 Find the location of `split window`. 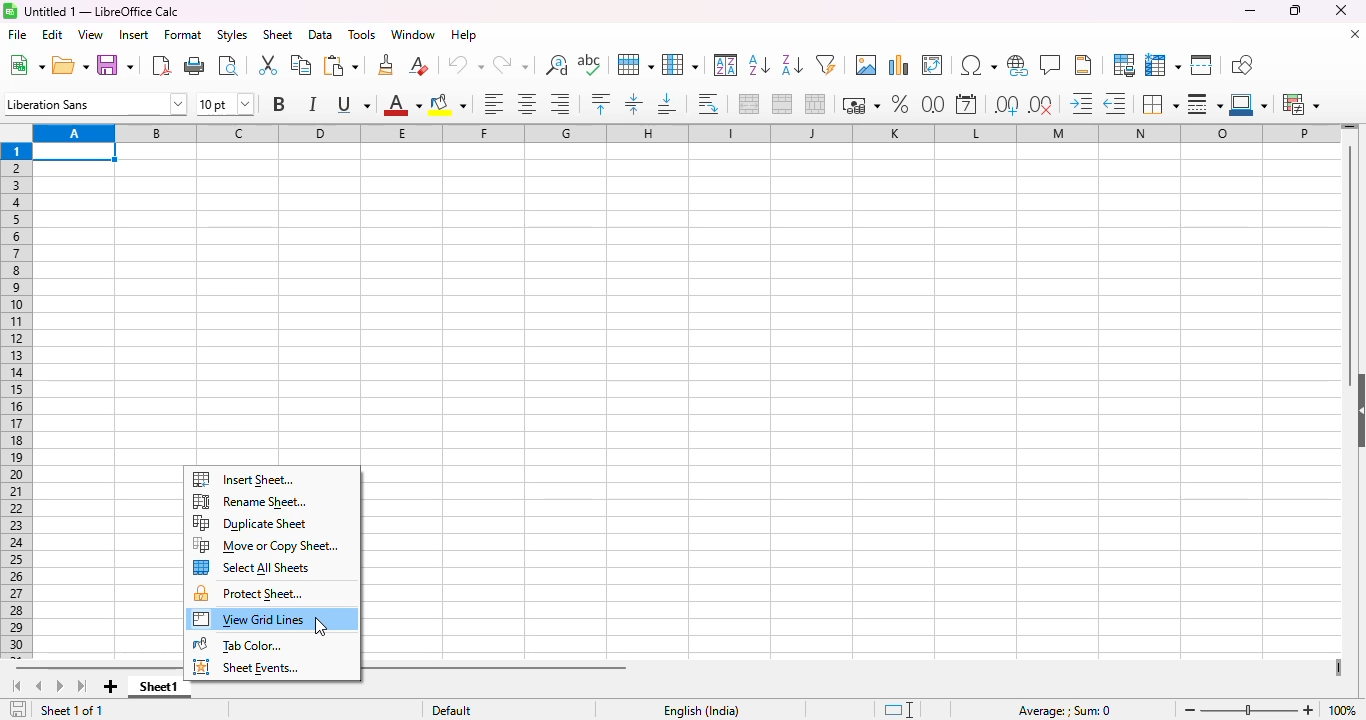

split window is located at coordinates (1202, 65).